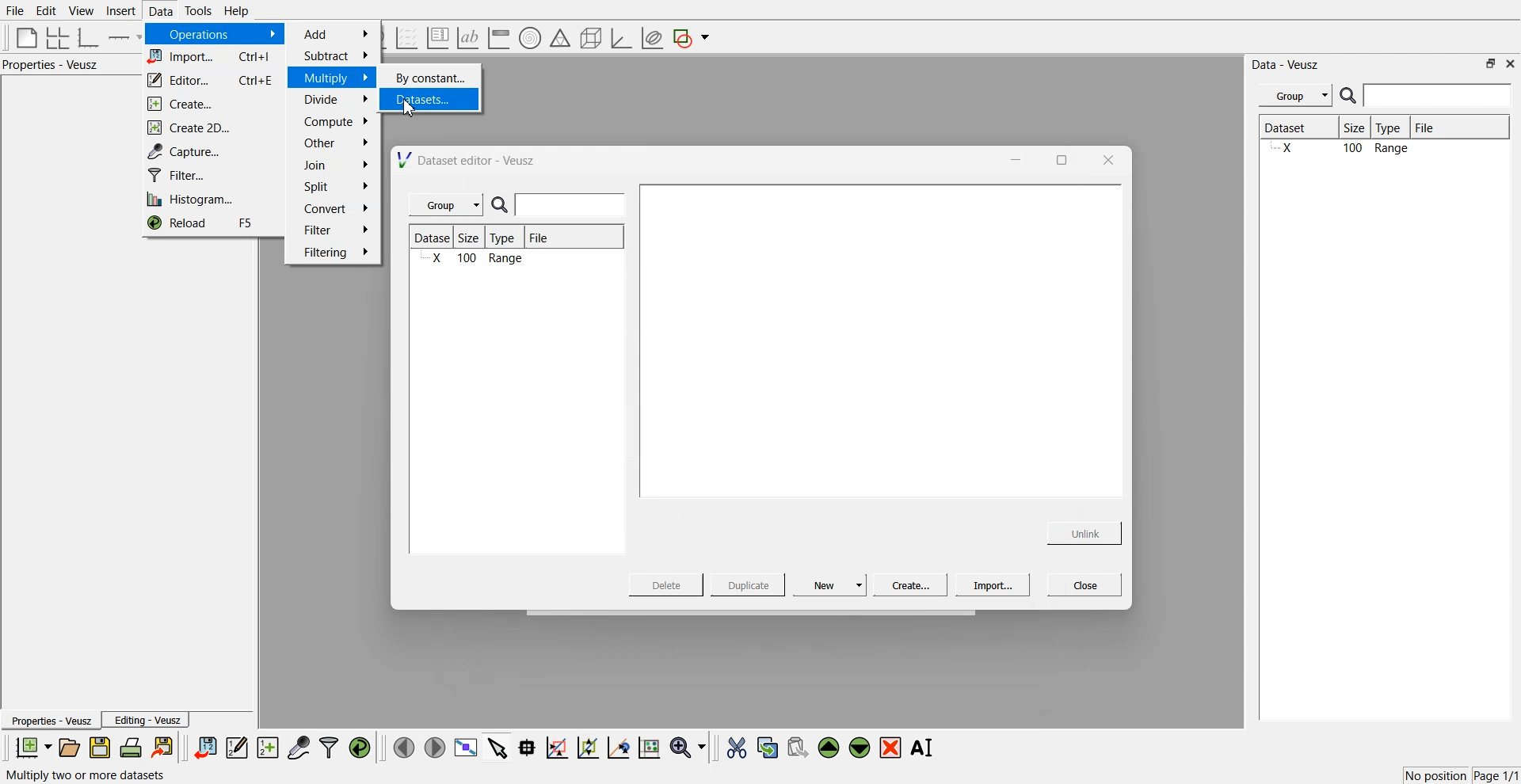 Image resolution: width=1521 pixels, height=784 pixels. What do you see at coordinates (335, 100) in the screenshot?
I see `Divide` at bounding box center [335, 100].